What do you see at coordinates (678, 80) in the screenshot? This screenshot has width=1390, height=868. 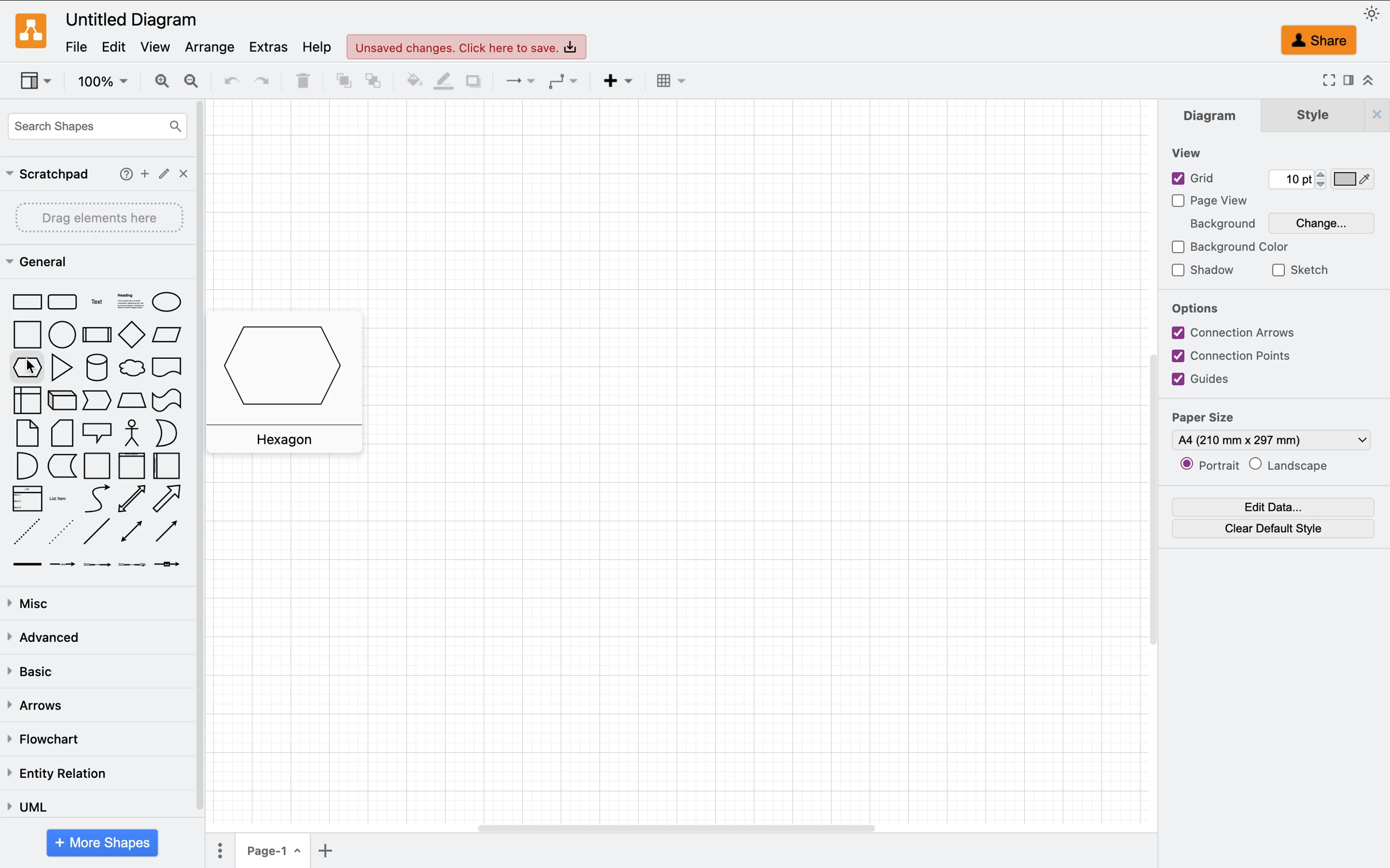 I see `table` at bounding box center [678, 80].